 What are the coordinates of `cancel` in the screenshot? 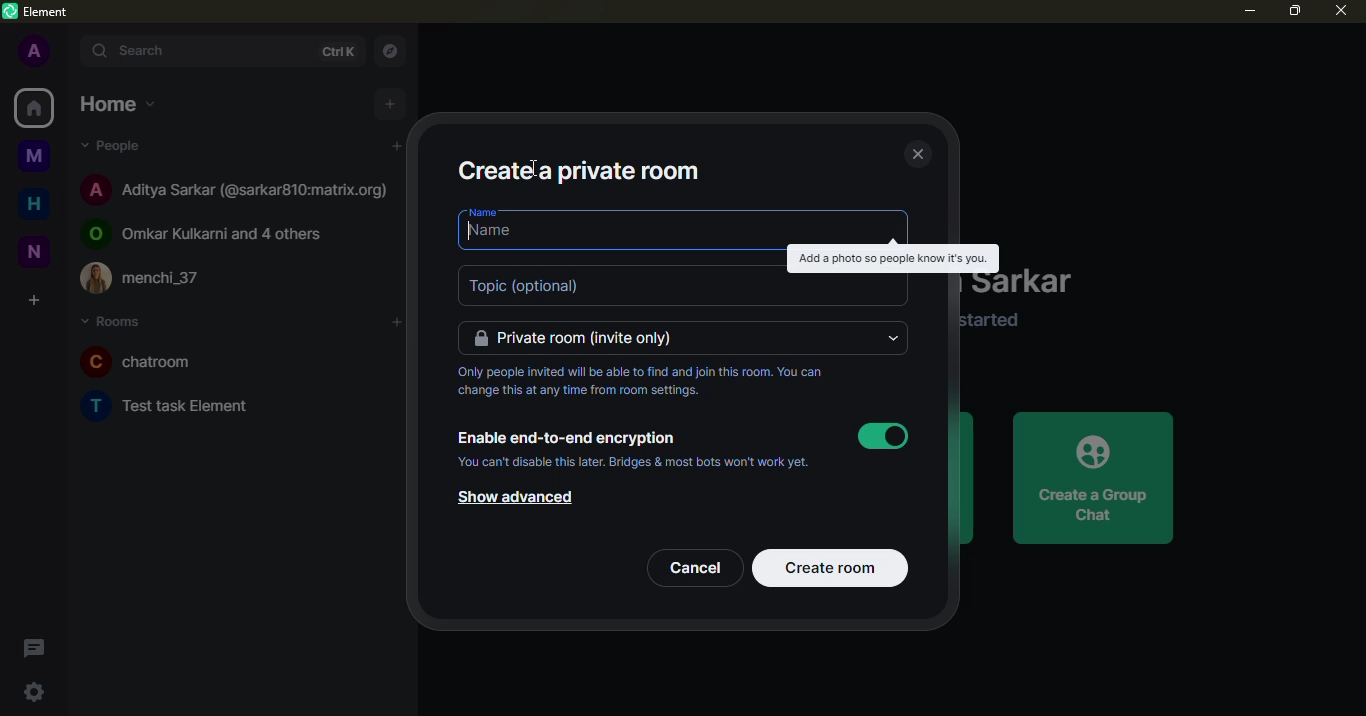 It's located at (694, 566).